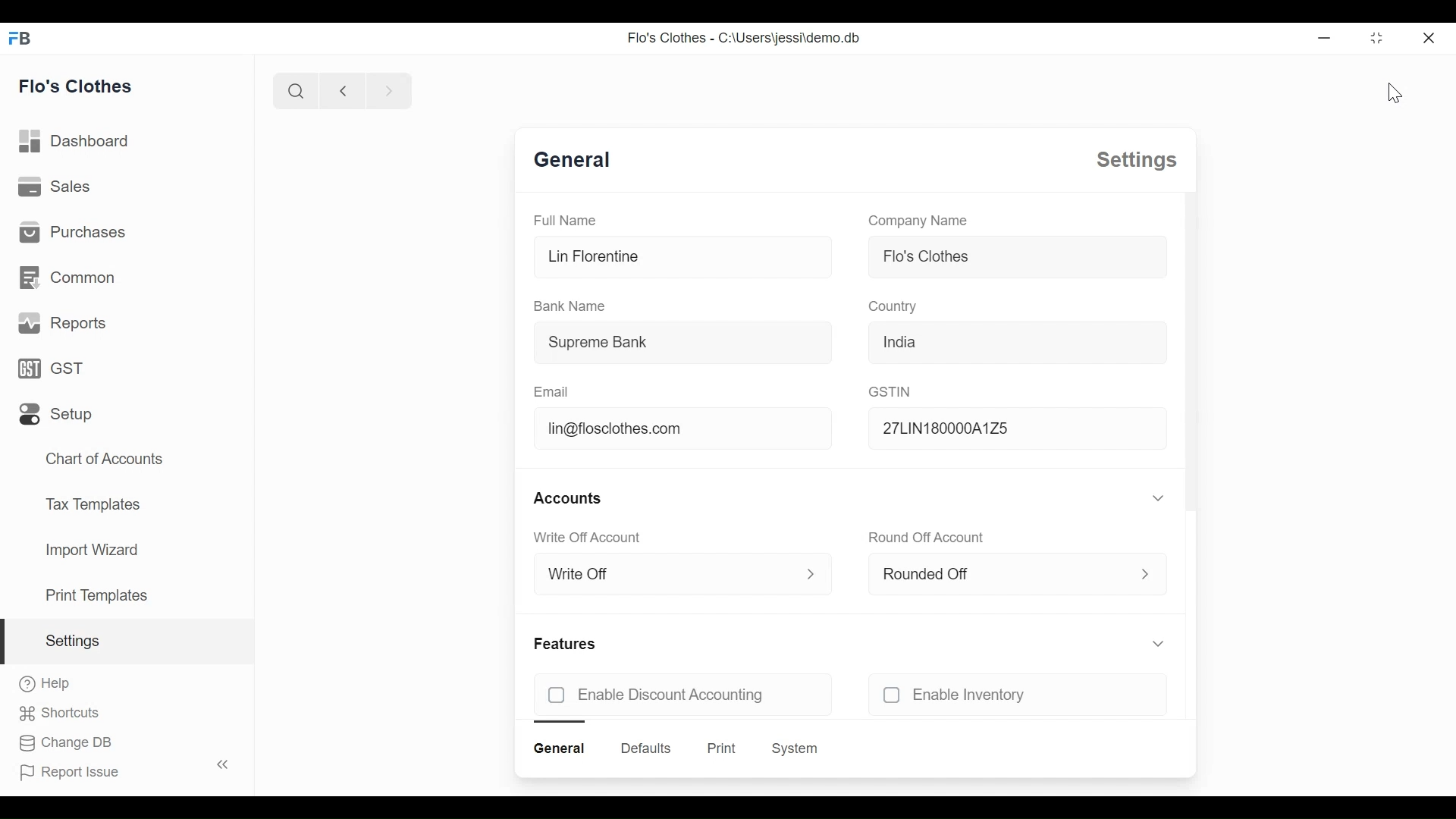 The width and height of the screenshot is (1456, 819). Describe the element at coordinates (64, 323) in the screenshot. I see `reports` at that location.